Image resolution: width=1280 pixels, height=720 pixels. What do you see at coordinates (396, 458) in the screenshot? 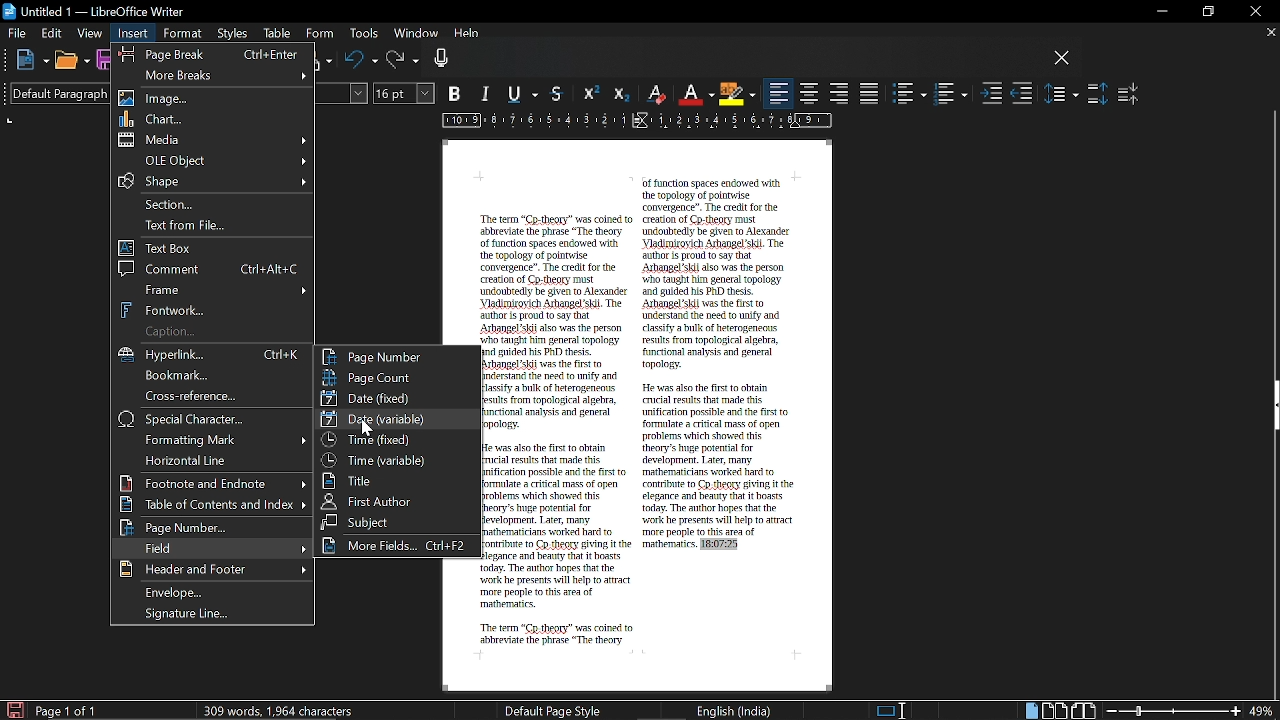
I see `Time variable` at bounding box center [396, 458].